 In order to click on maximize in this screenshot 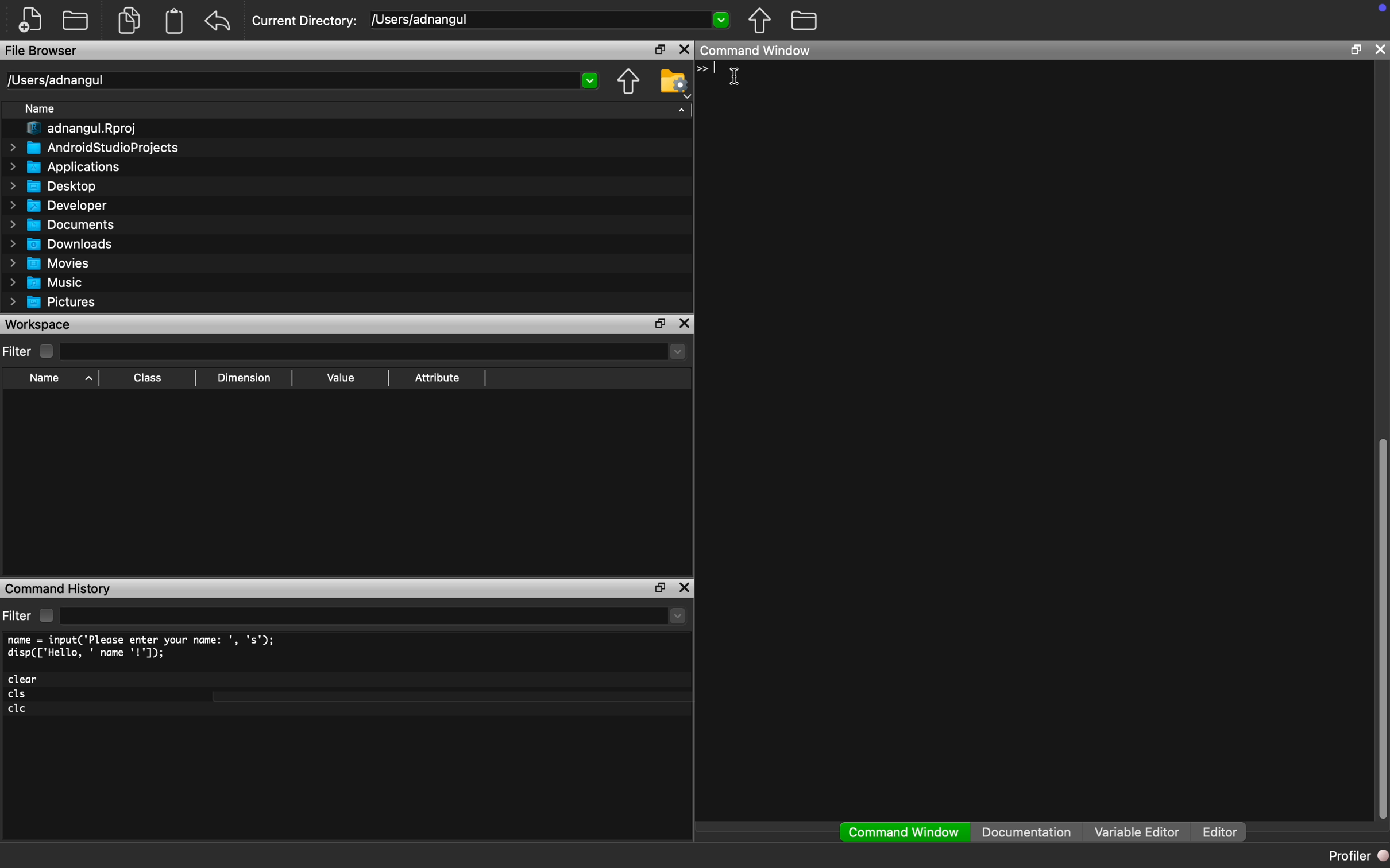, I will do `click(660, 323)`.